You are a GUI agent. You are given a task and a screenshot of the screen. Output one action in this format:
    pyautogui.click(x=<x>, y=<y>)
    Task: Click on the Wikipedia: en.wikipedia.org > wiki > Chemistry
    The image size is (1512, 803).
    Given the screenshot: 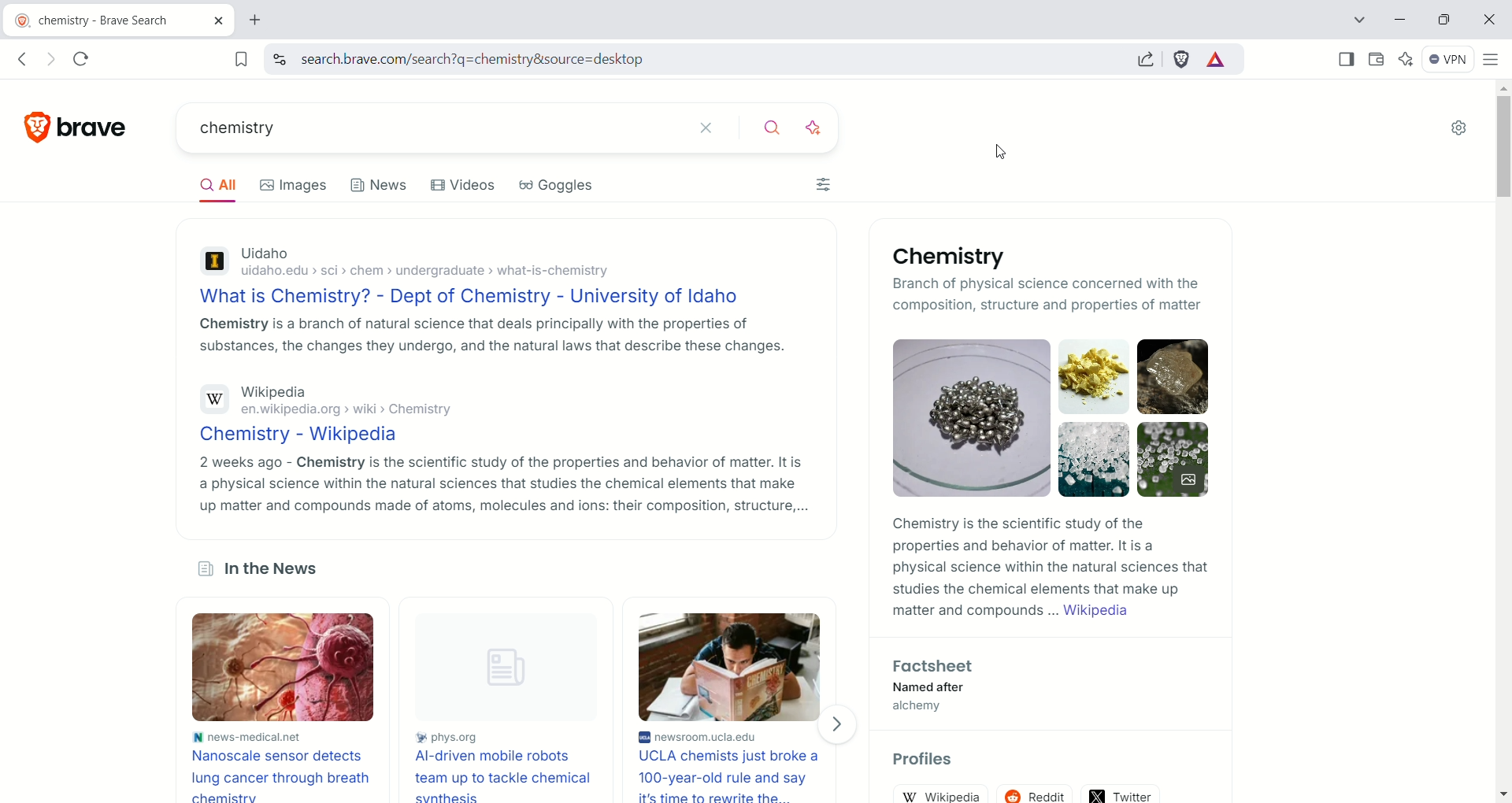 What is the action you would take?
    pyautogui.click(x=495, y=402)
    